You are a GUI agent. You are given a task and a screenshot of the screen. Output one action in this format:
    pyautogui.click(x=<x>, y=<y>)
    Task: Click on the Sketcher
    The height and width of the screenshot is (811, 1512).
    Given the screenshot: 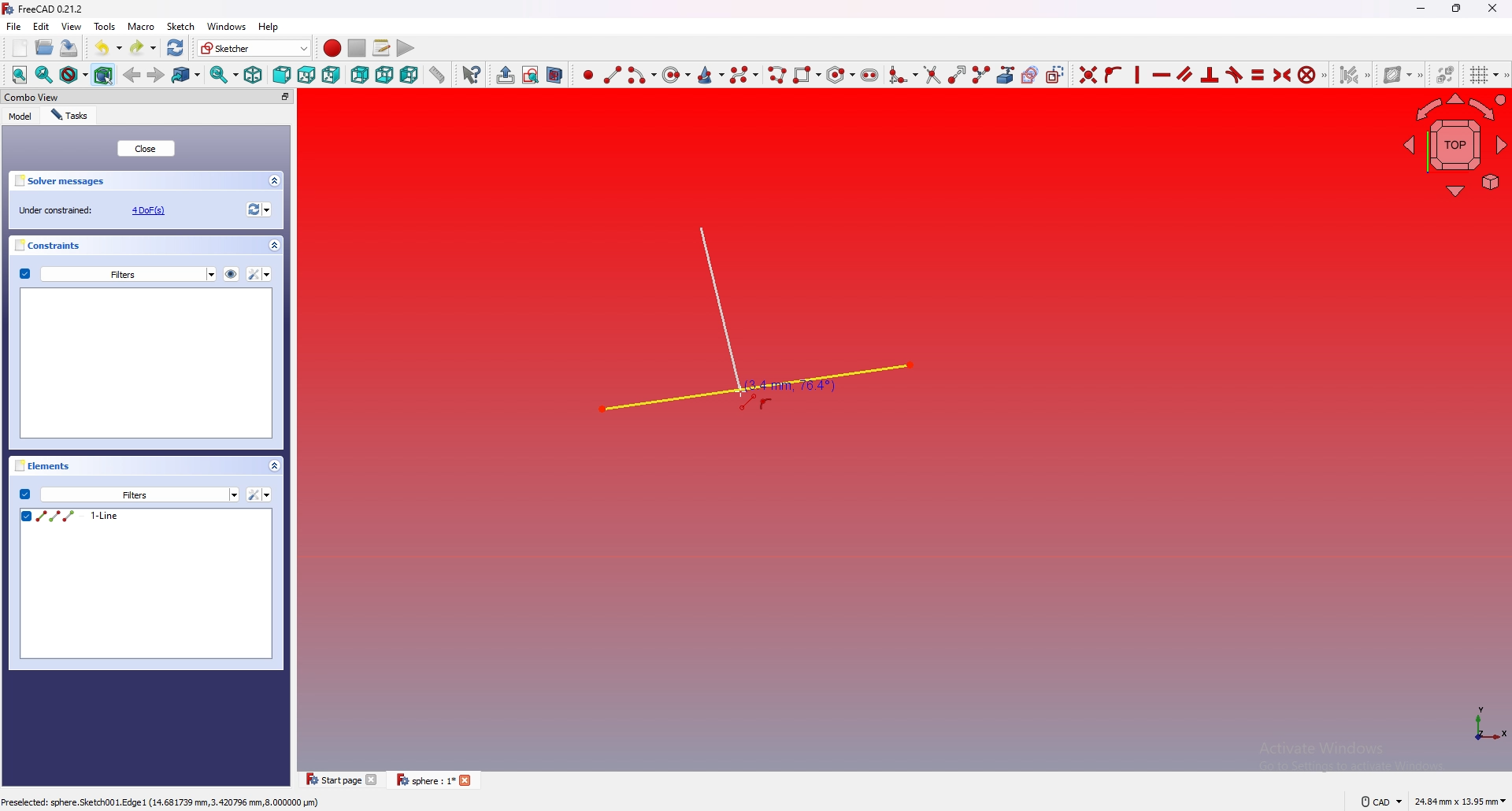 What is the action you would take?
    pyautogui.click(x=252, y=48)
    